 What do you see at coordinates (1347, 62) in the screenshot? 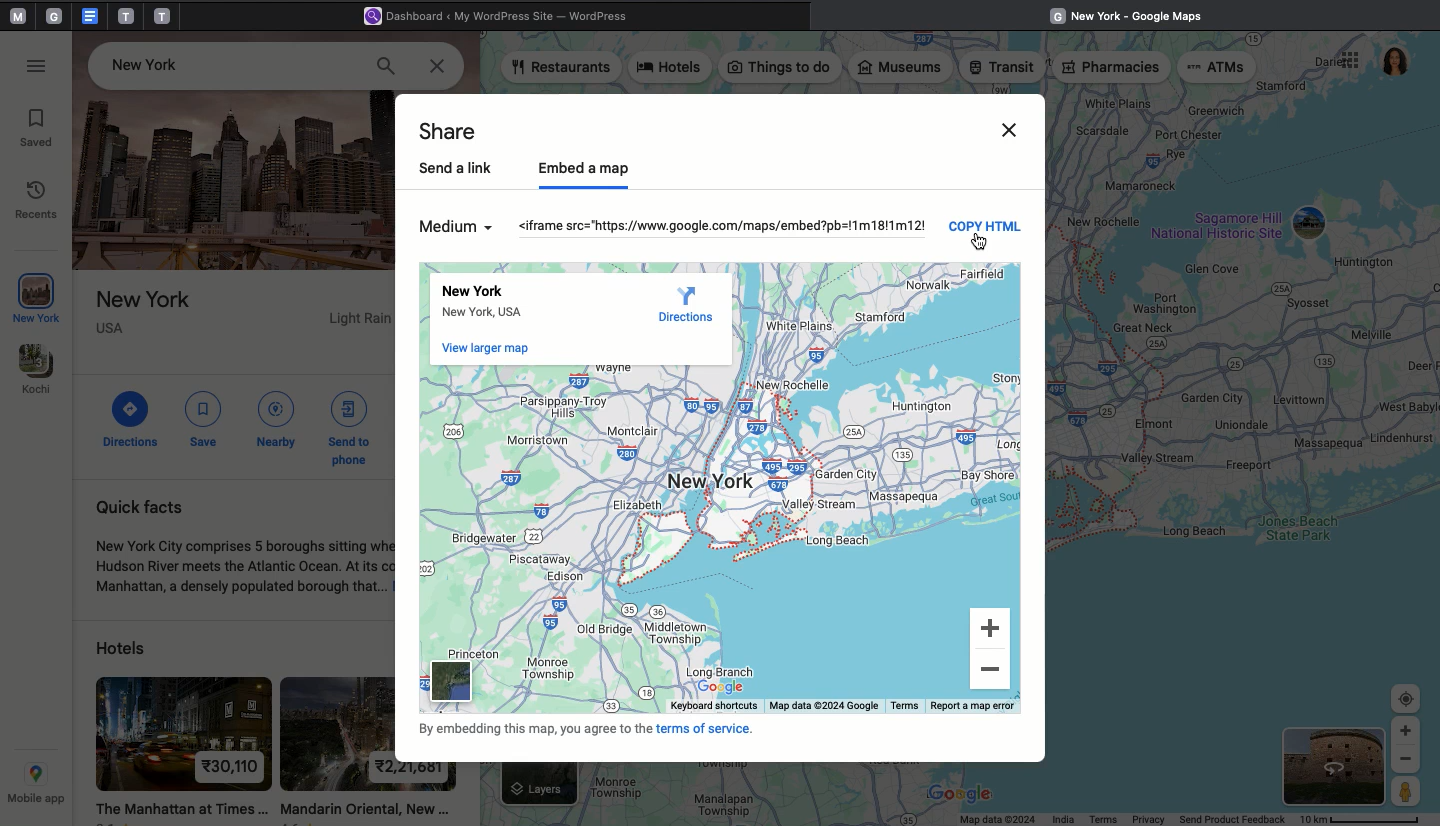
I see `Options` at bounding box center [1347, 62].